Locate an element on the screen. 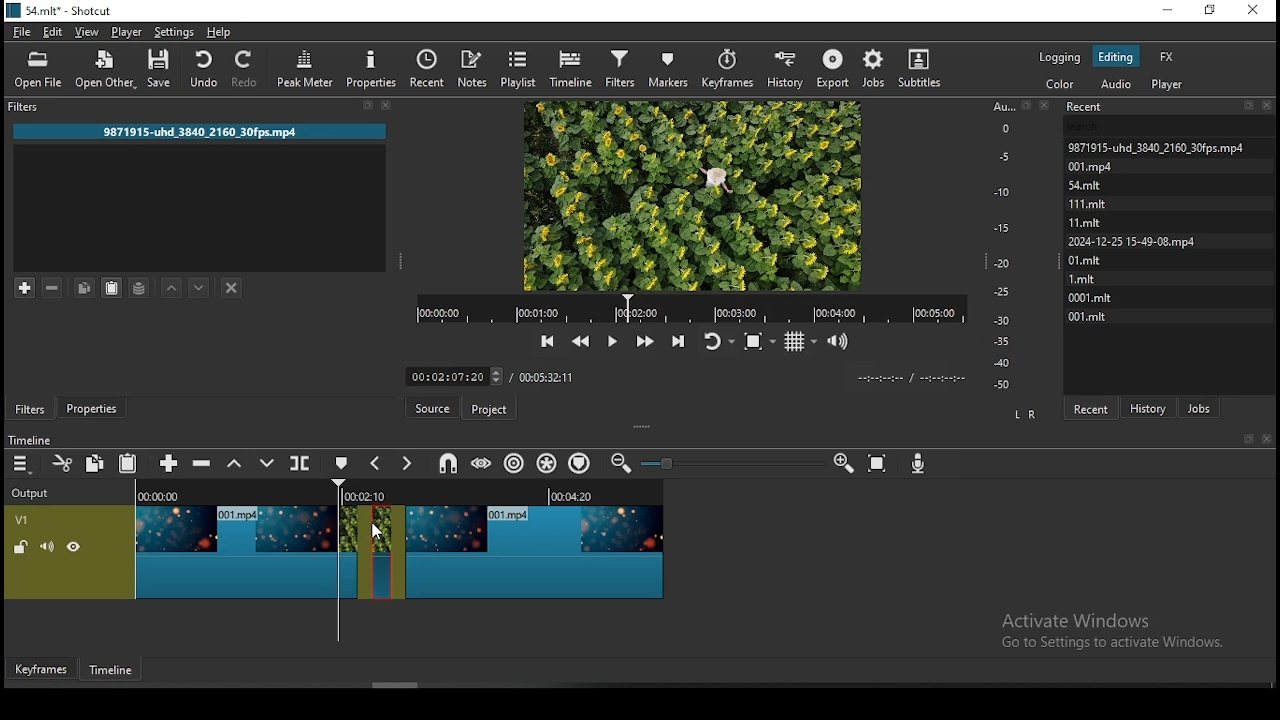 Image resolution: width=1280 pixels, height=720 pixels. zoom timeline out is located at coordinates (842, 464).